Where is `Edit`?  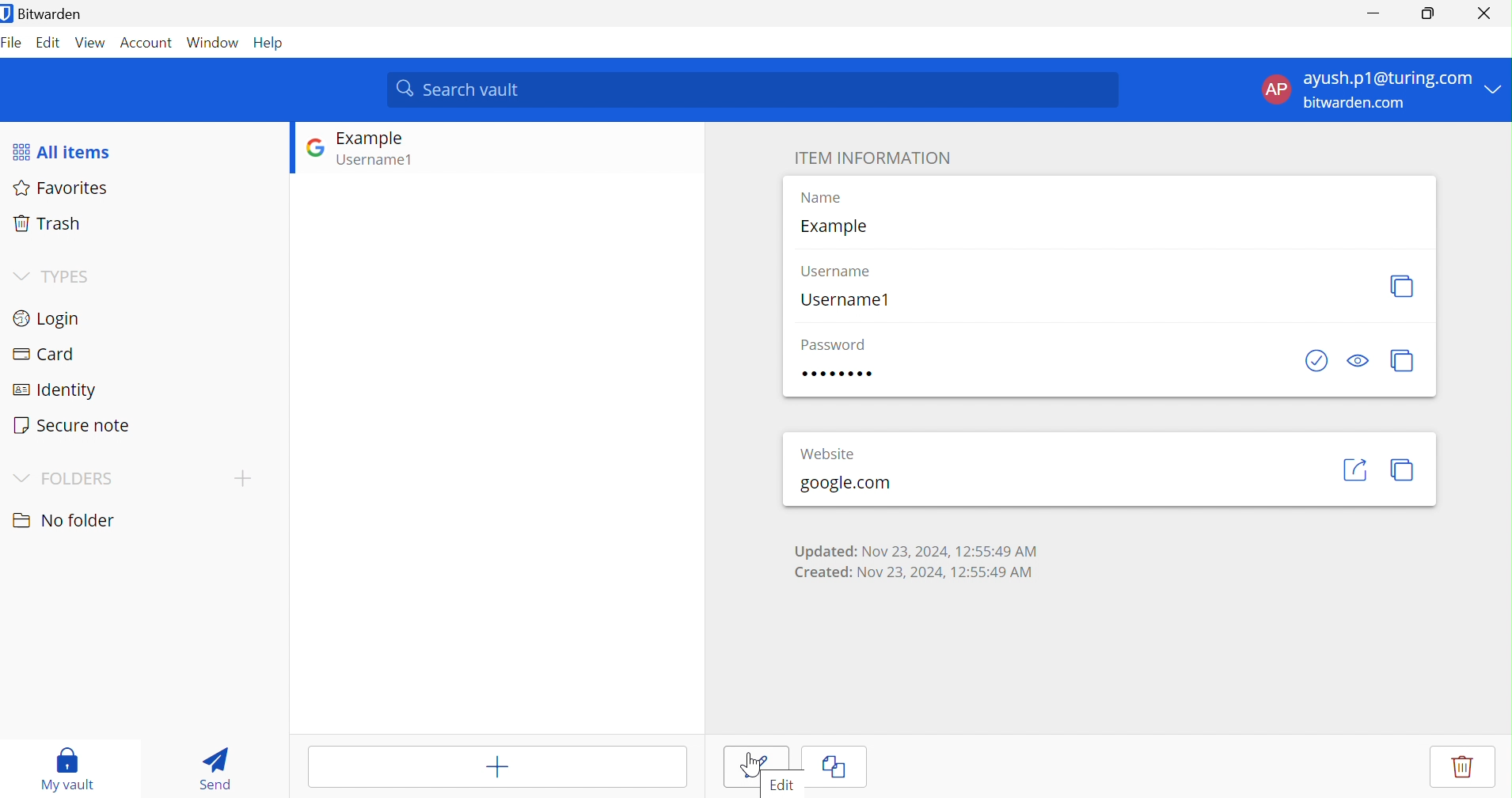 Edit is located at coordinates (48, 44).